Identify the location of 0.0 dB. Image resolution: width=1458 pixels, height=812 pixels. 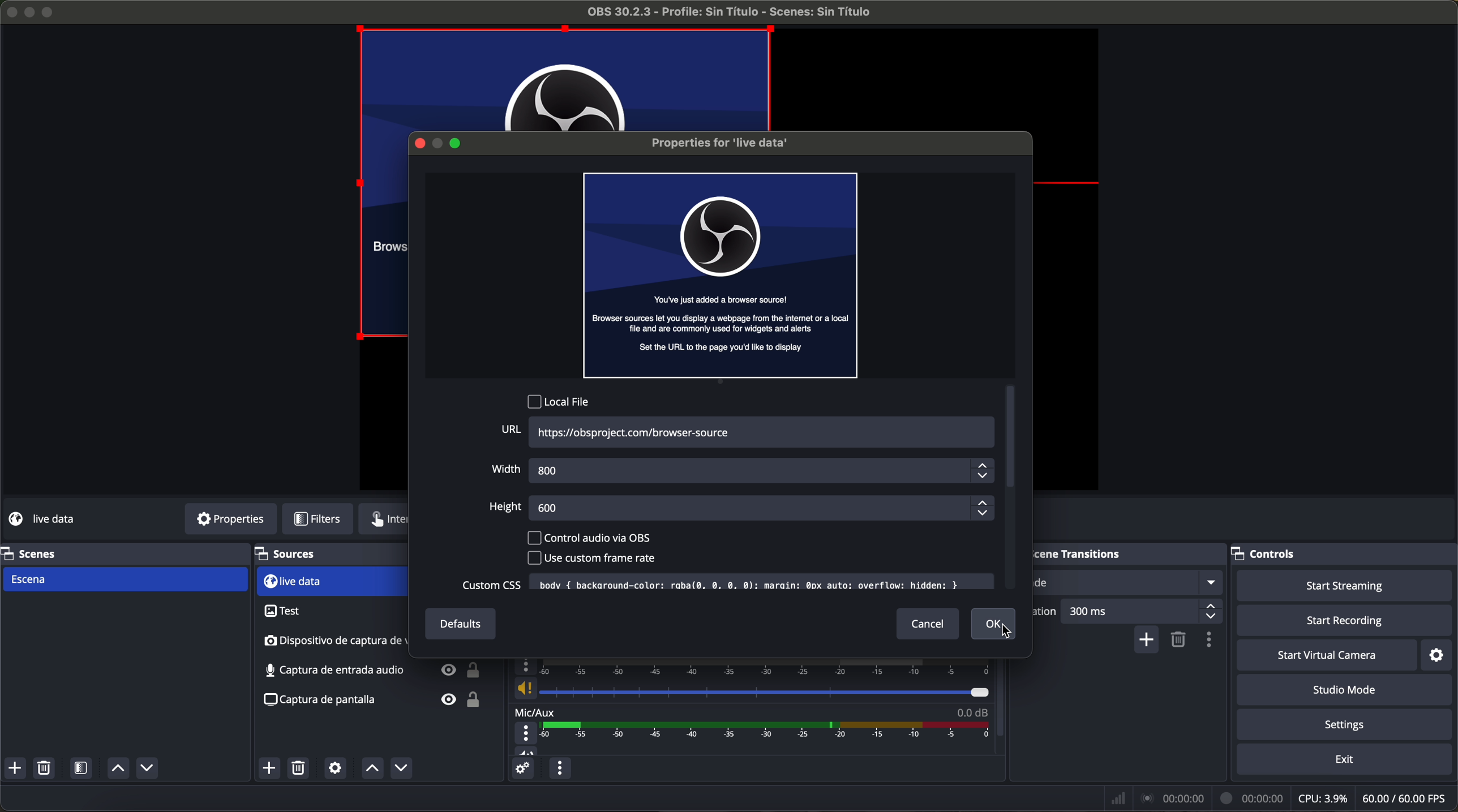
(967, 714).